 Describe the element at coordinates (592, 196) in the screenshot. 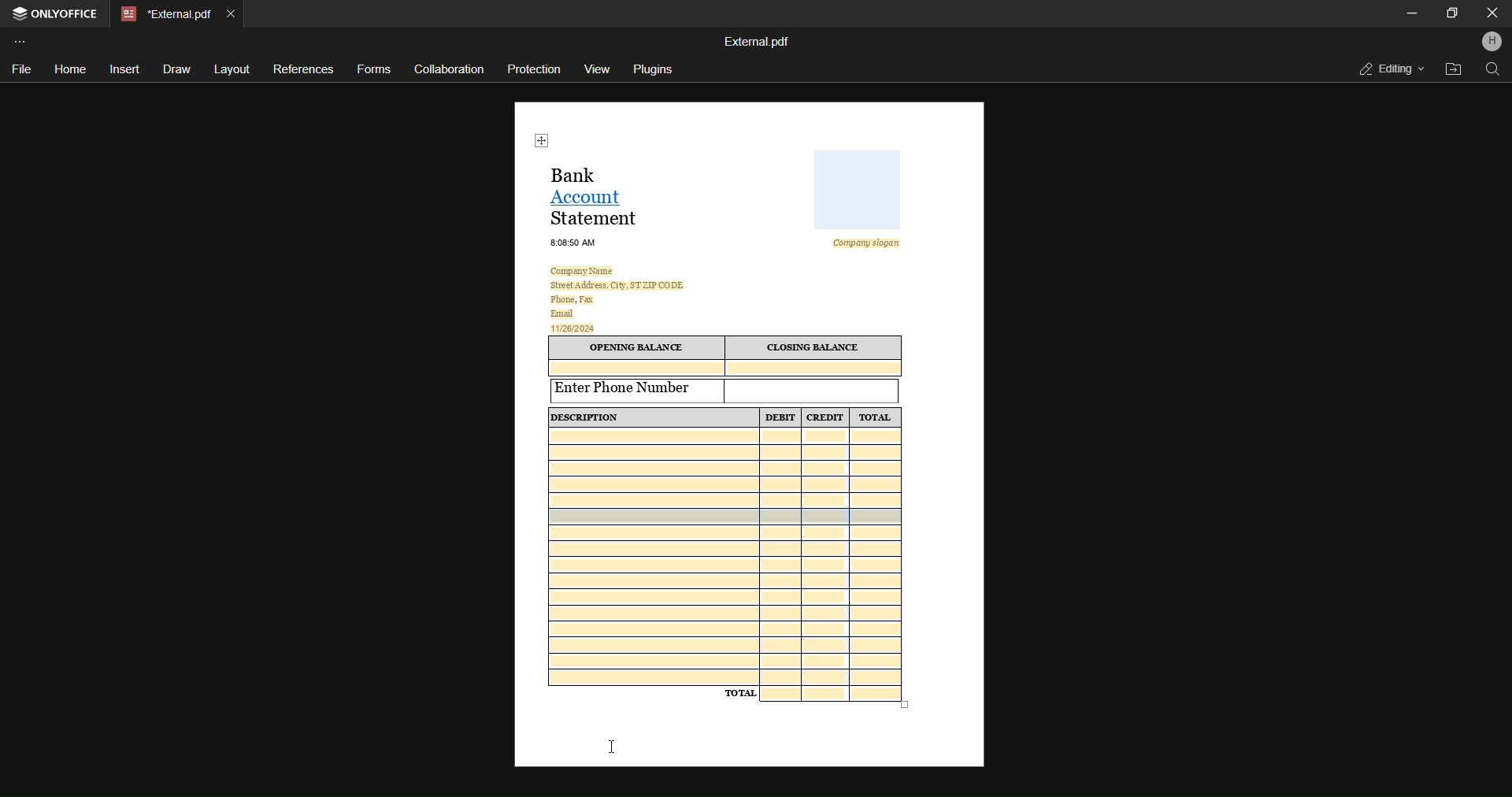

I see `Account` at that location.